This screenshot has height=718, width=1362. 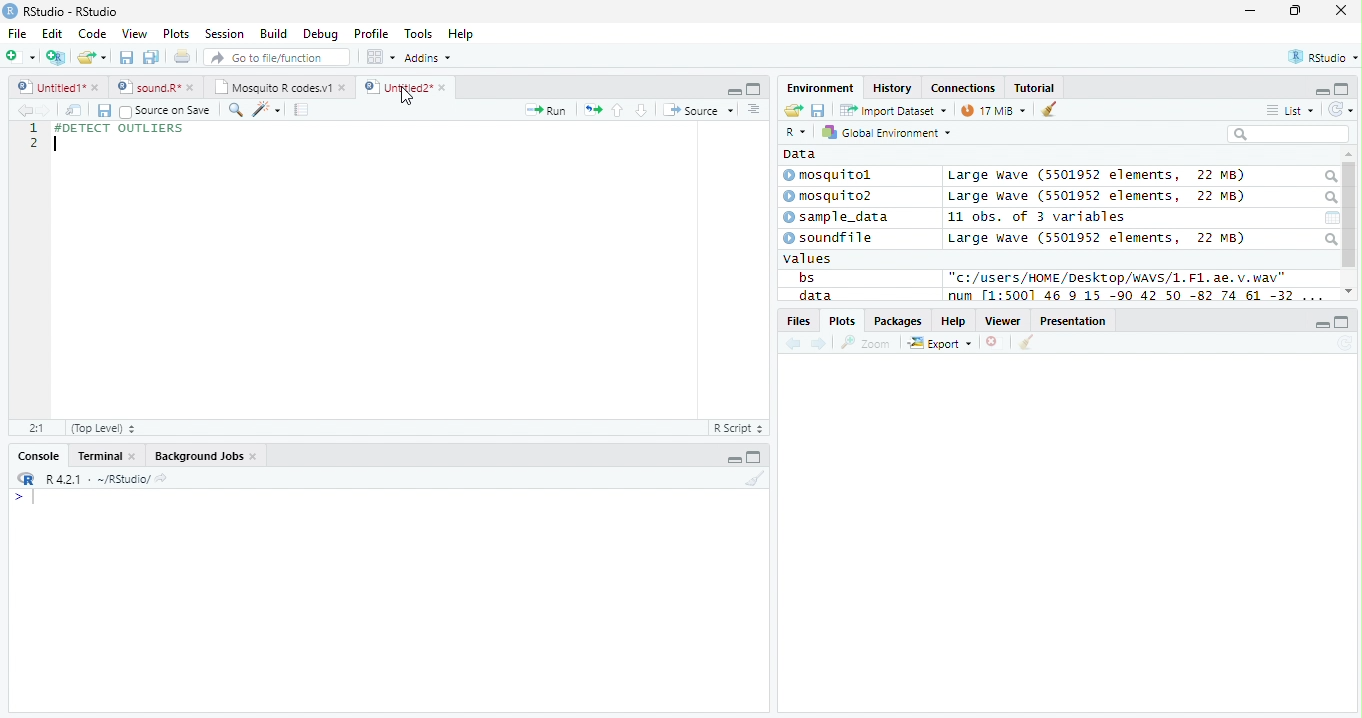 I want to click on Calendar, so click(x=1332, y=218).